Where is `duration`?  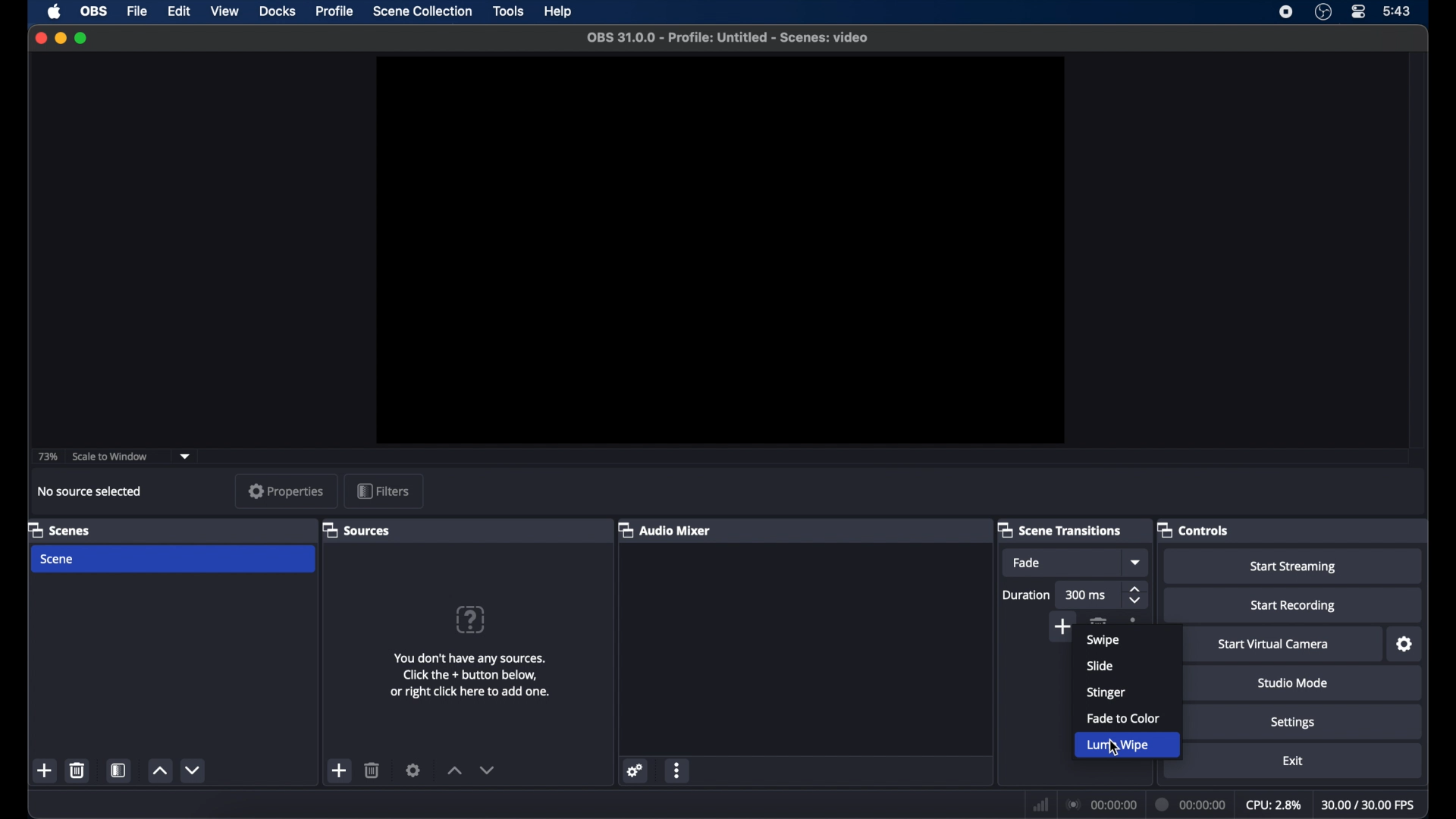 duration is located at coordinates (1028, 594).